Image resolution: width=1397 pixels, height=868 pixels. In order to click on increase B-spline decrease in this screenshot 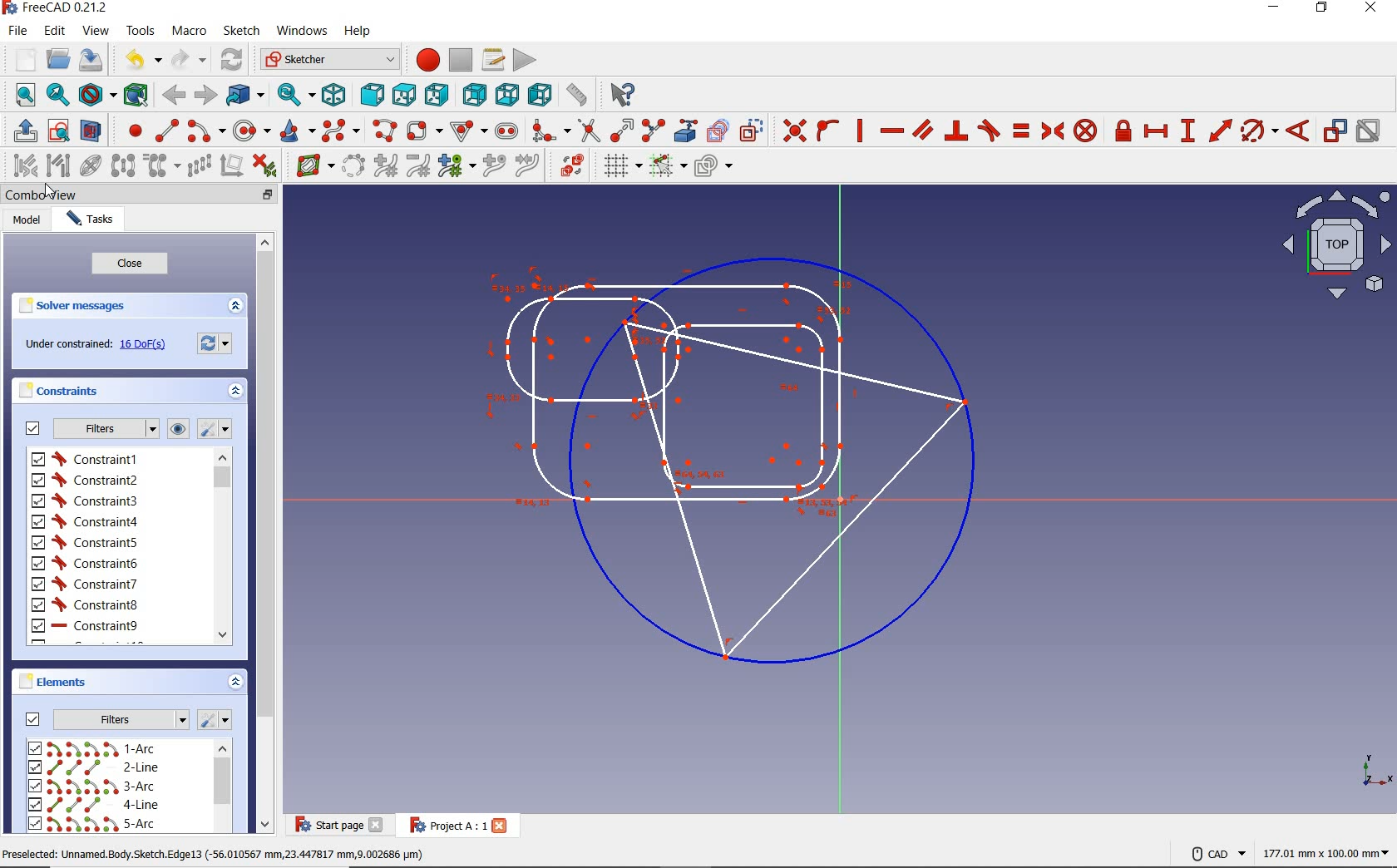, I will do `click(386, 166)`.